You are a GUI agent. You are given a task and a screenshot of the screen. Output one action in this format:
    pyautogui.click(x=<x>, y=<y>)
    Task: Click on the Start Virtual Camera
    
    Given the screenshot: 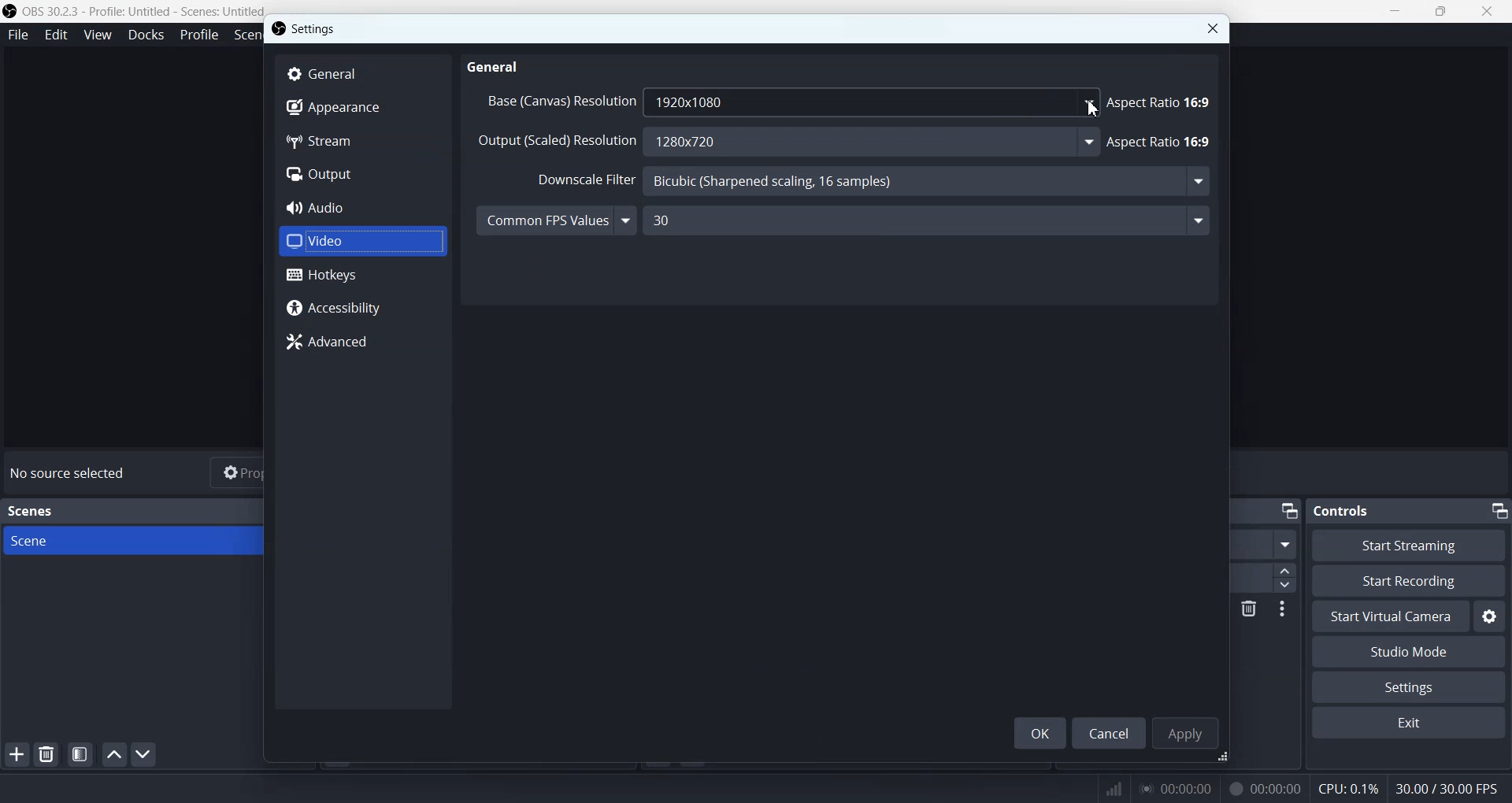 What is the action you would take?
    pyautogui.click(x=1390, y=616)
    